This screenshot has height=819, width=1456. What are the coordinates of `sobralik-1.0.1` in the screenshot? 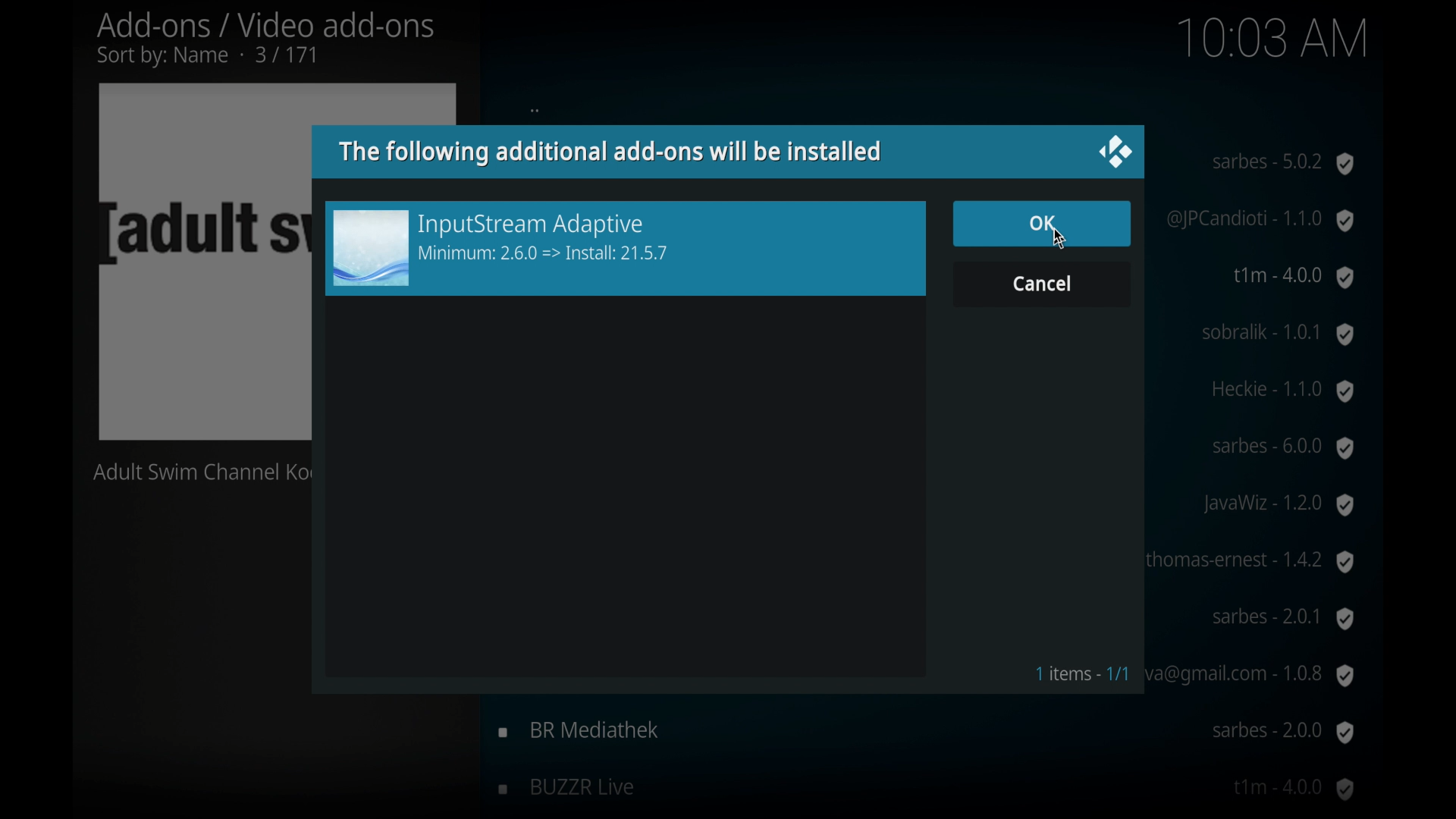 It's located at (1246, 335).